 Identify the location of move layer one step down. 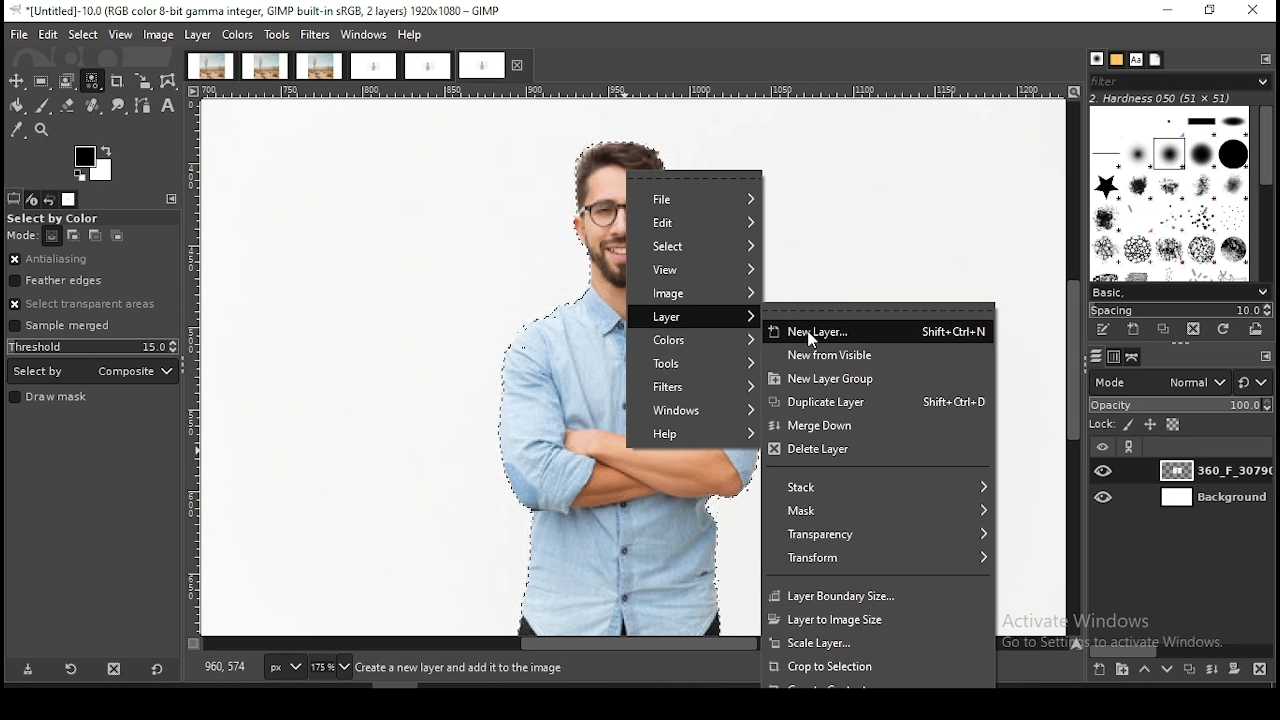
(1164, 669).